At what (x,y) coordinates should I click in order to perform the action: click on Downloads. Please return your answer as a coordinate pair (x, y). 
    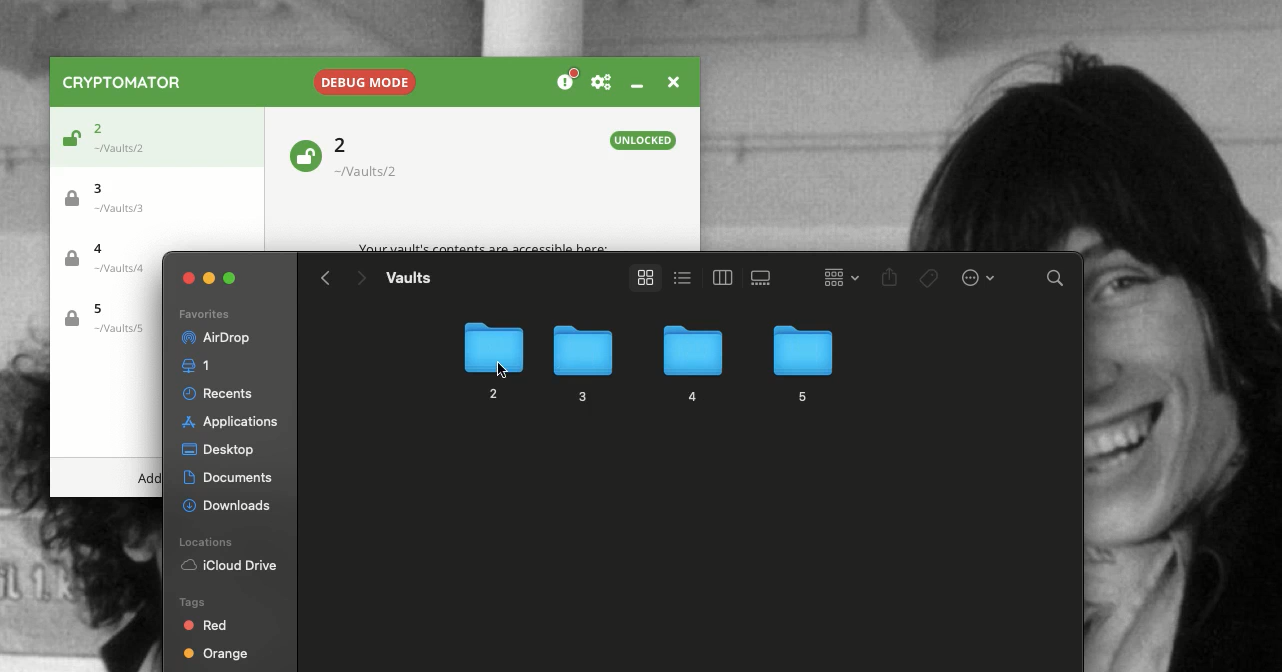
    Looking at the image, I should click on (229, 503).